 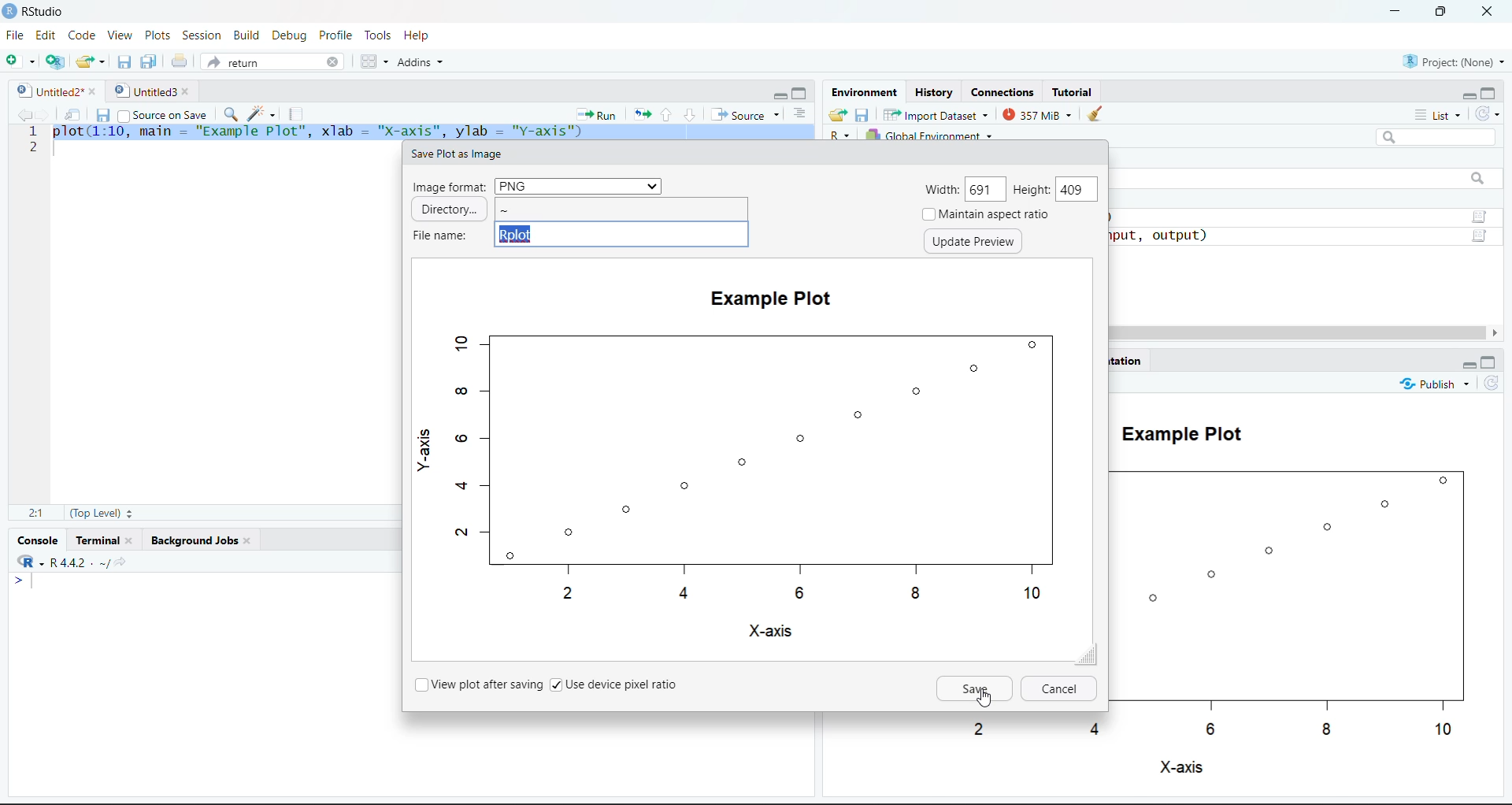 I want to click on Go to next section/chunk (Ctrl + pgDn), so click(x=688, y=113).